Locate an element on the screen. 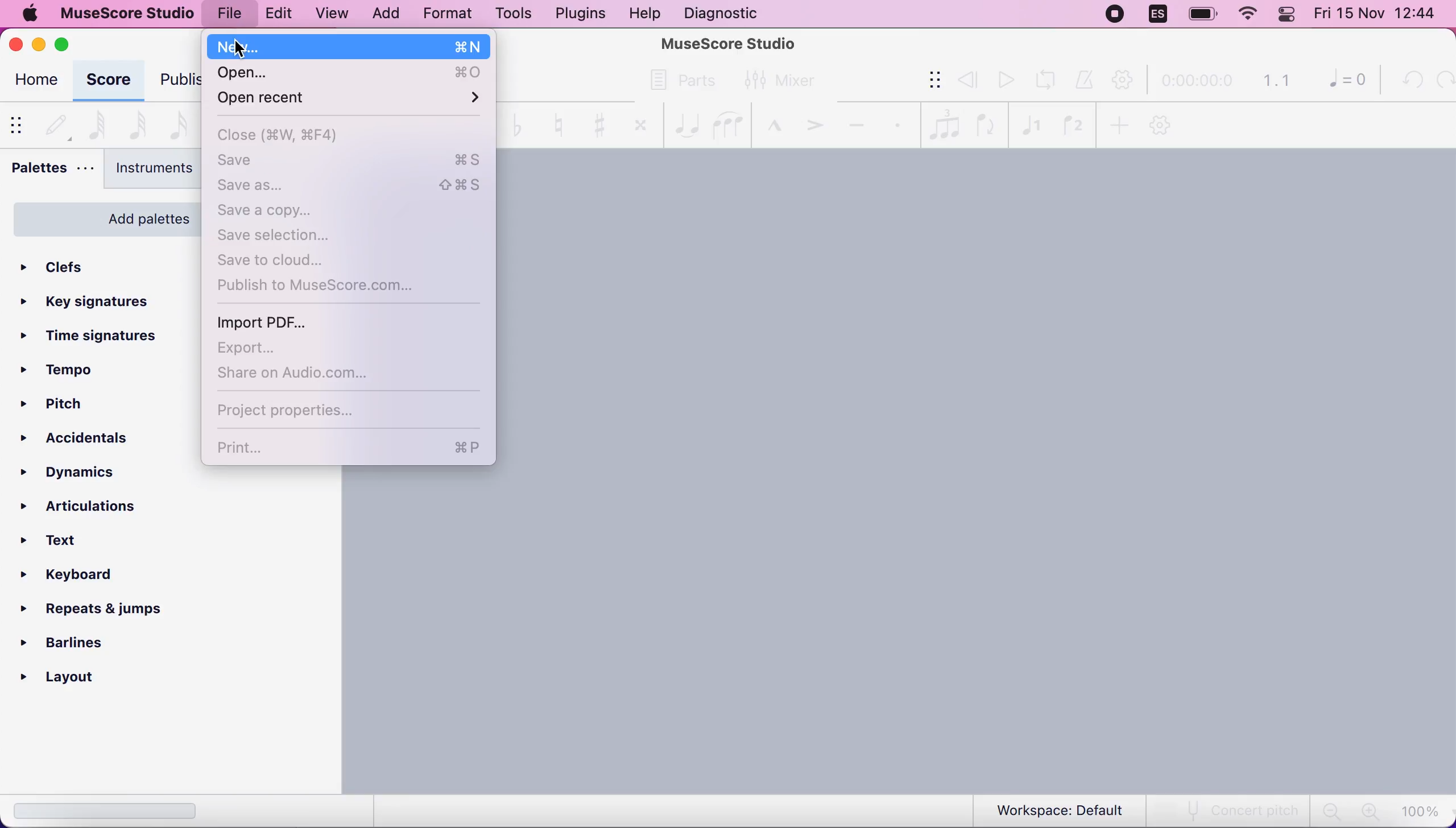 This screenshot has height=828, width=1456. tie is located at coordinates (682, 122).